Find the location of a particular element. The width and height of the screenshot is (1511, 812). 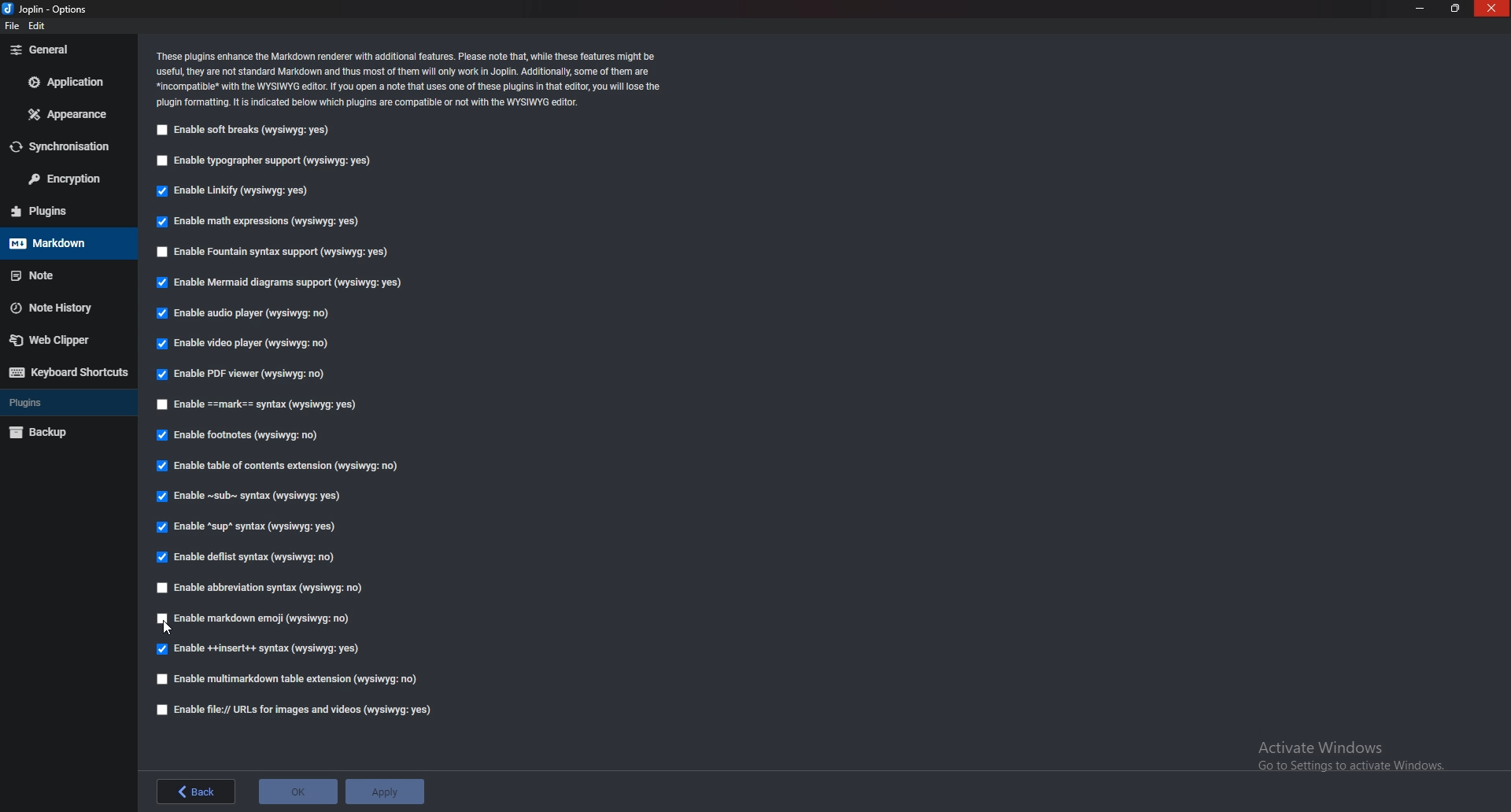

Enable footnotes is located at coordinates (242, 437).